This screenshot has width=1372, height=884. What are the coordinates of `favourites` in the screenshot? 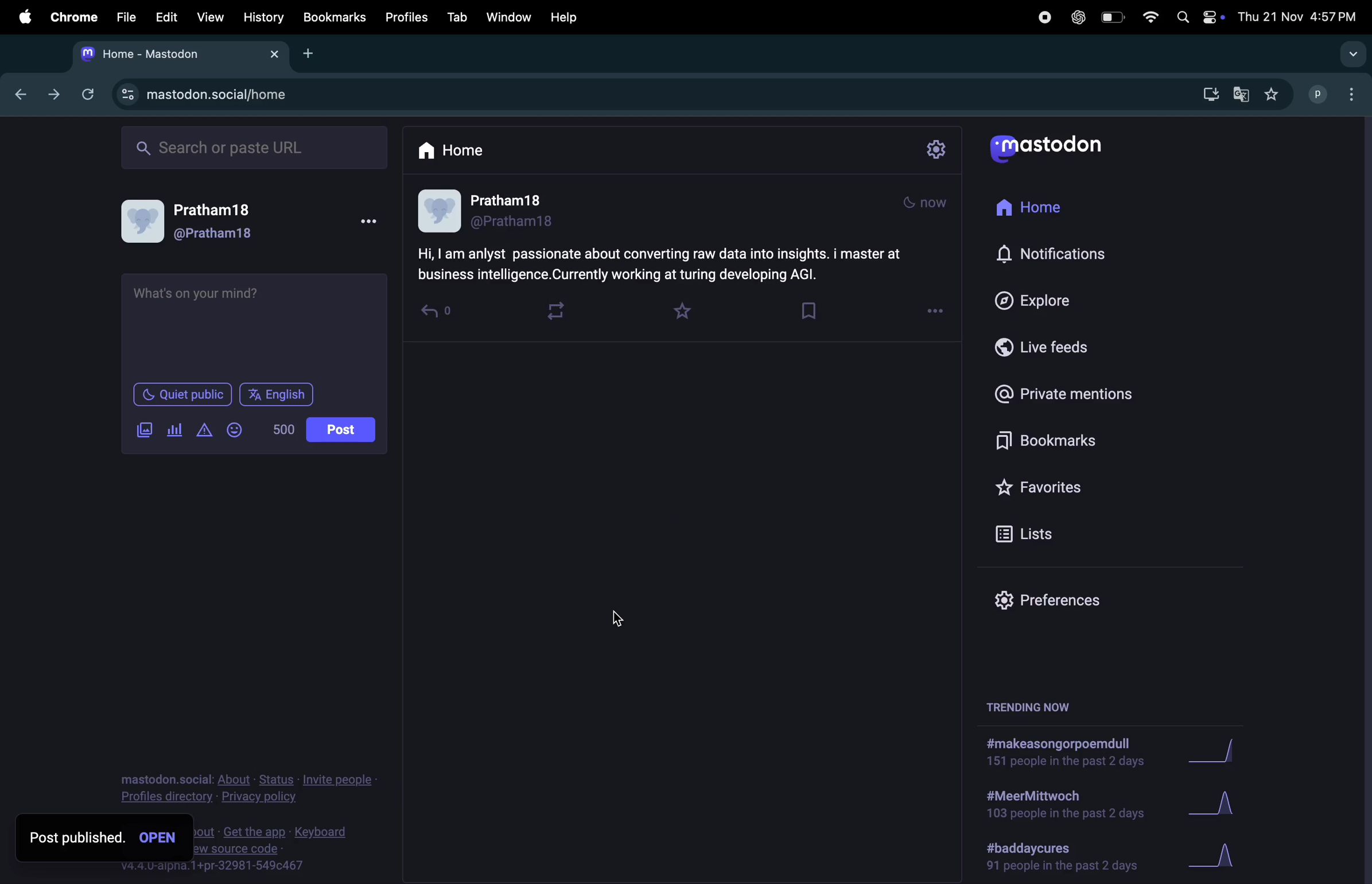 It's located at (684, 309).